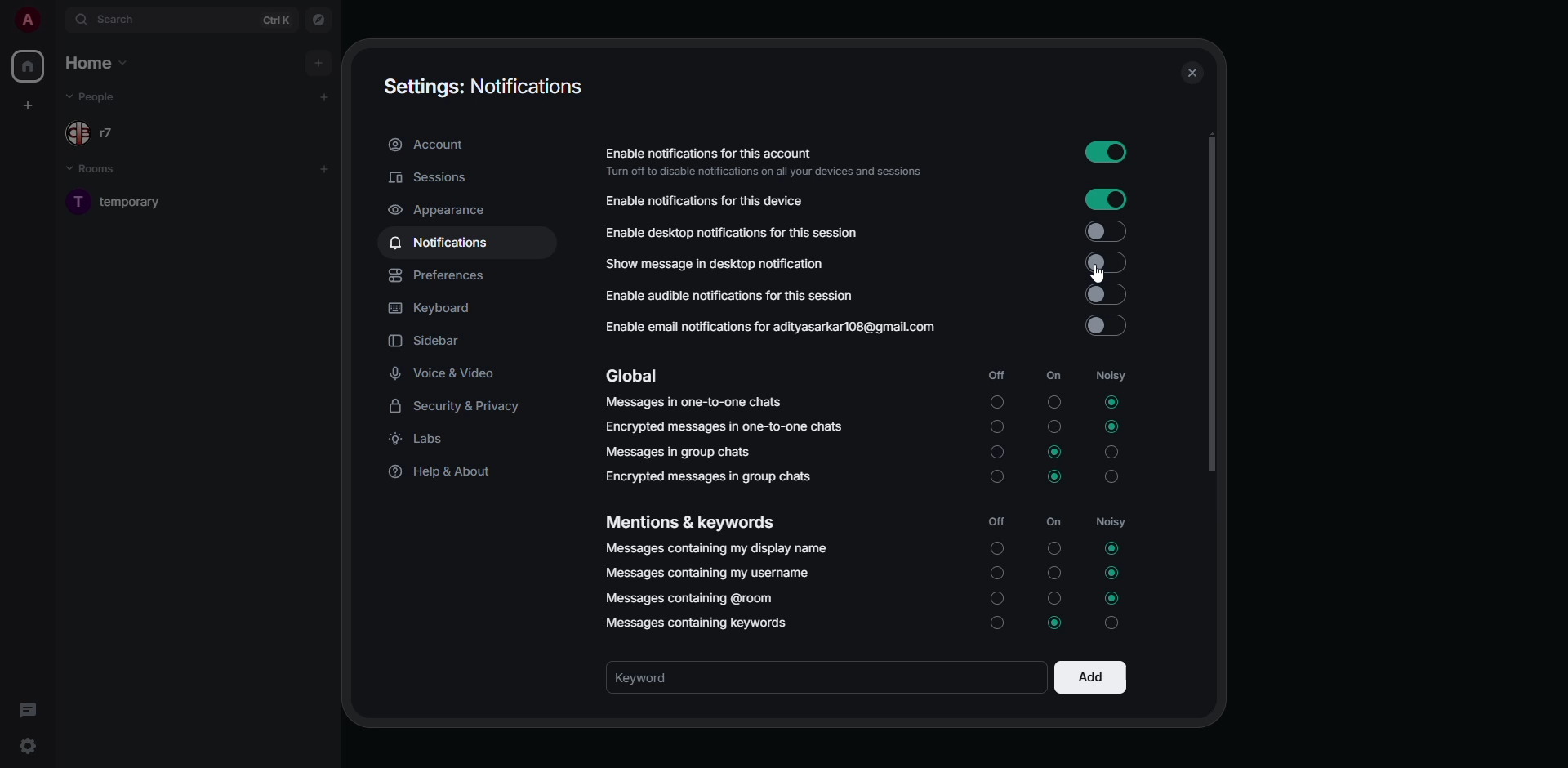 This screenshot has width=1568, height=768. I want to click on labs, so click(426, 437).